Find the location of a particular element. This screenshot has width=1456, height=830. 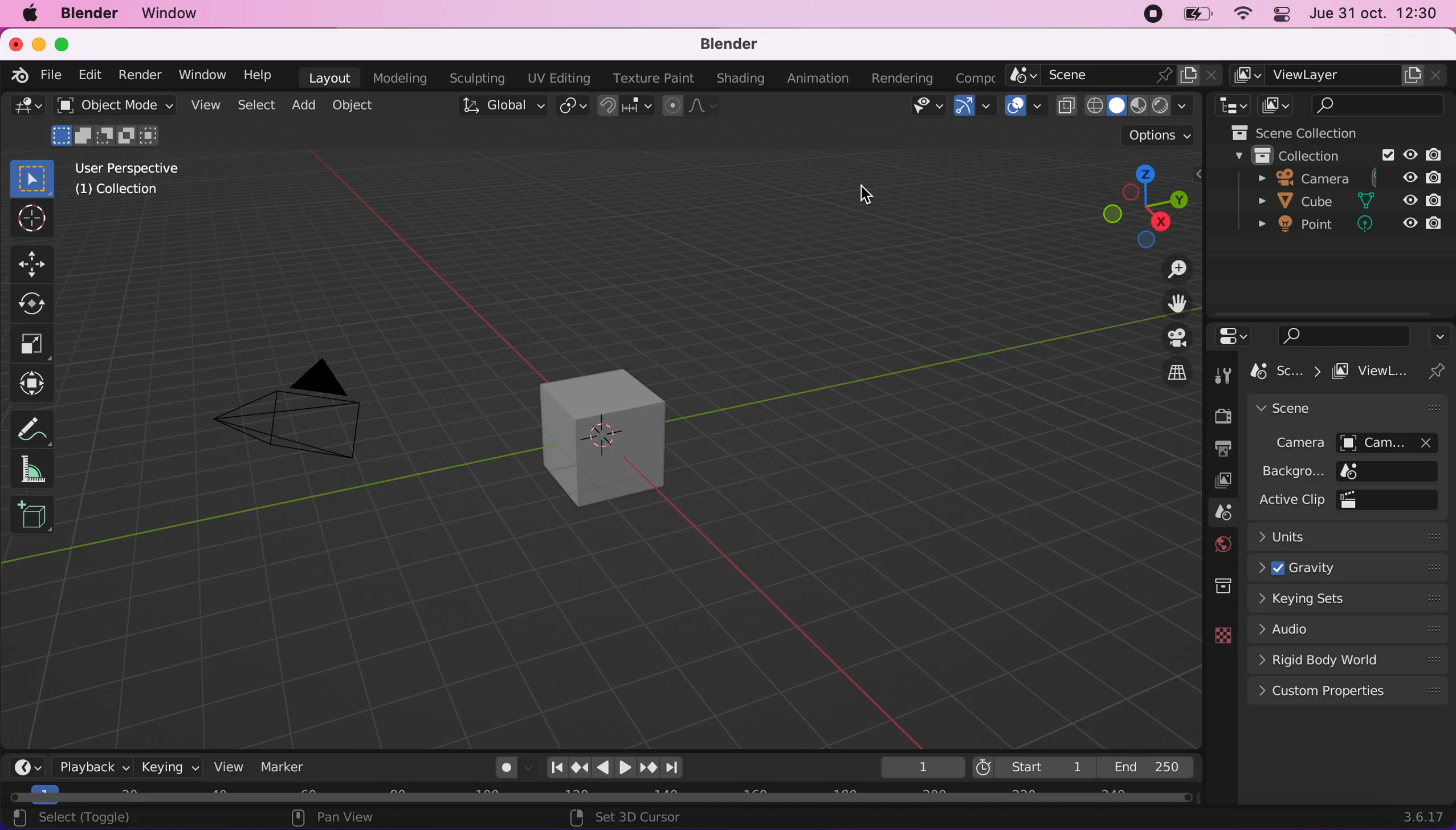

cube is located at coordinates (606, 434).